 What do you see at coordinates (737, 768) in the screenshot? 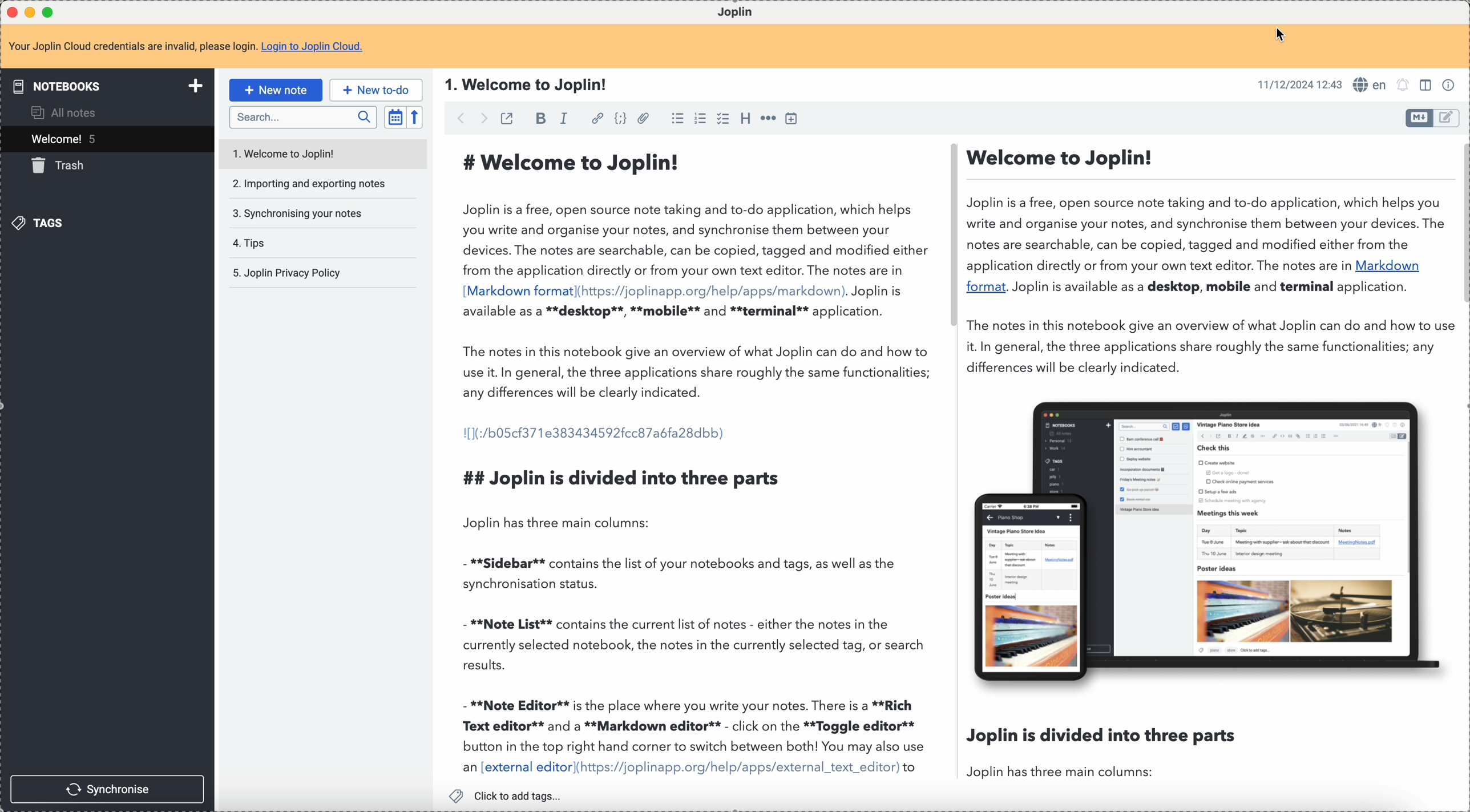
I see `(https://joplinapp.org/help/apps/external_text_editor)` at bounding box center [737, 768].